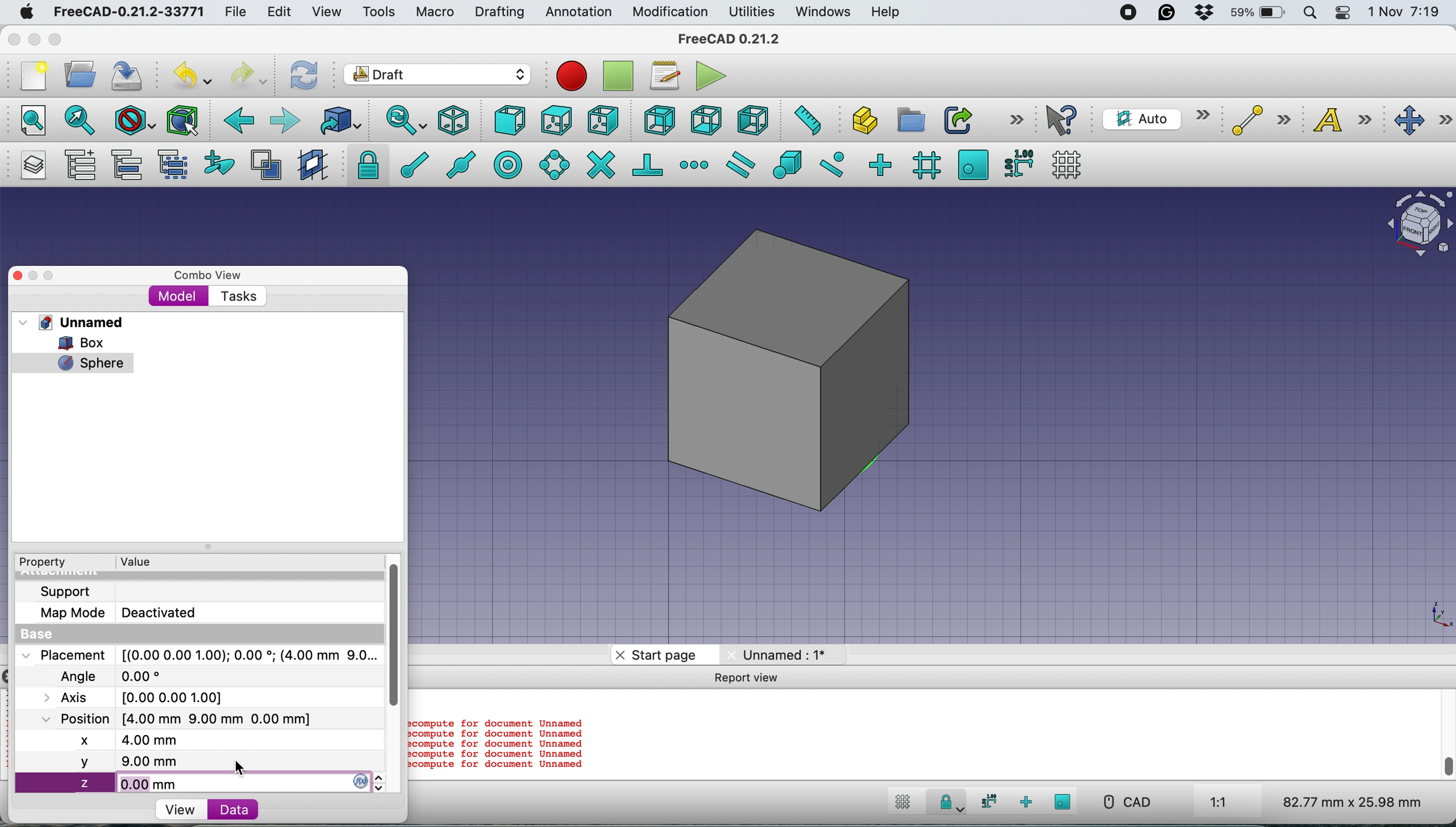 The height and width of the screenshot is (827, 1456). Describe the element at coordinates (753, 12) in the screenshot. I see `utilities` at that location.